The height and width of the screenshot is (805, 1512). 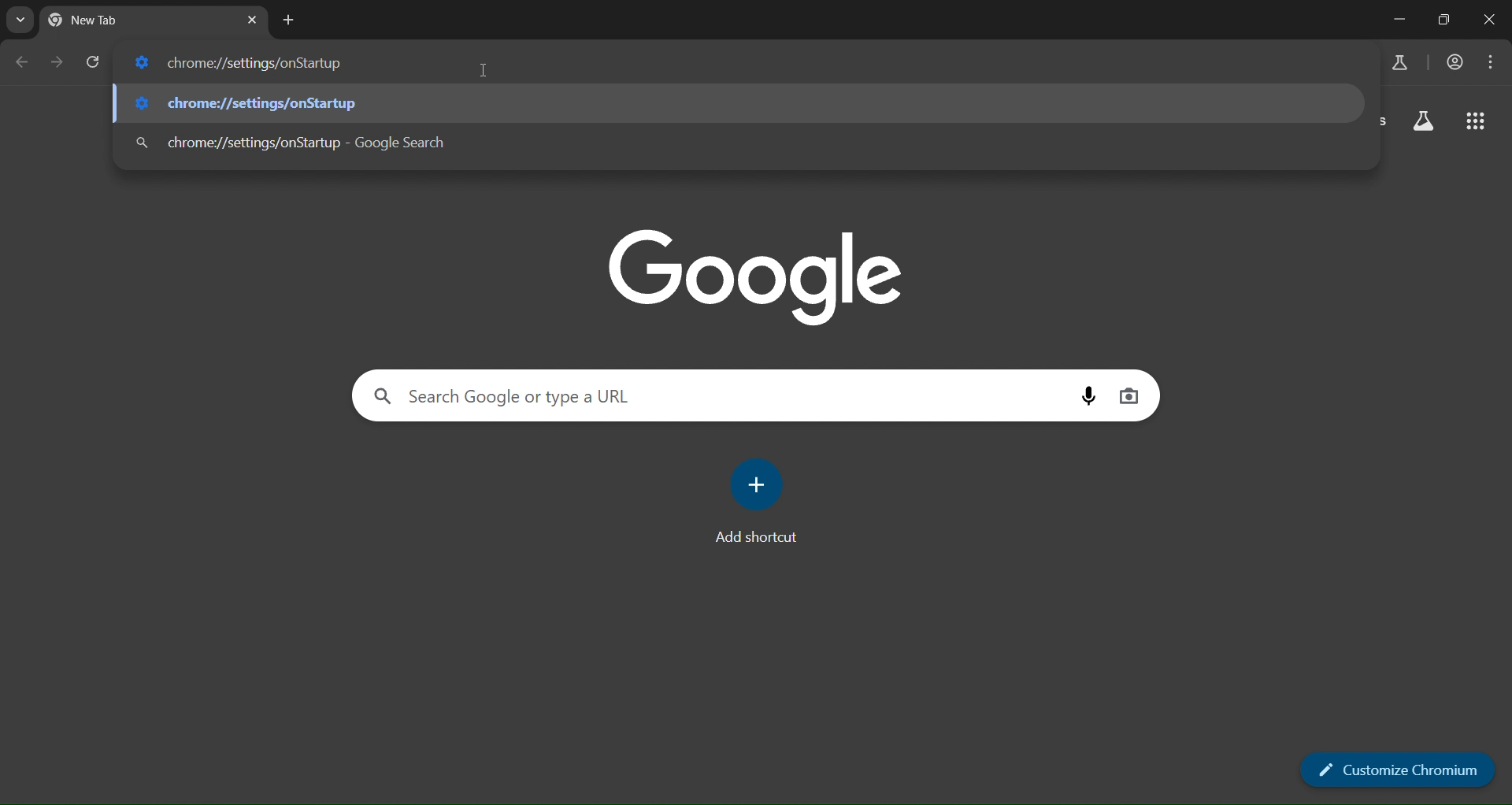 What do you see at coordinates (1399, 65) in the screenshot?
I see `search labs` at bounding box center [1399, 65].